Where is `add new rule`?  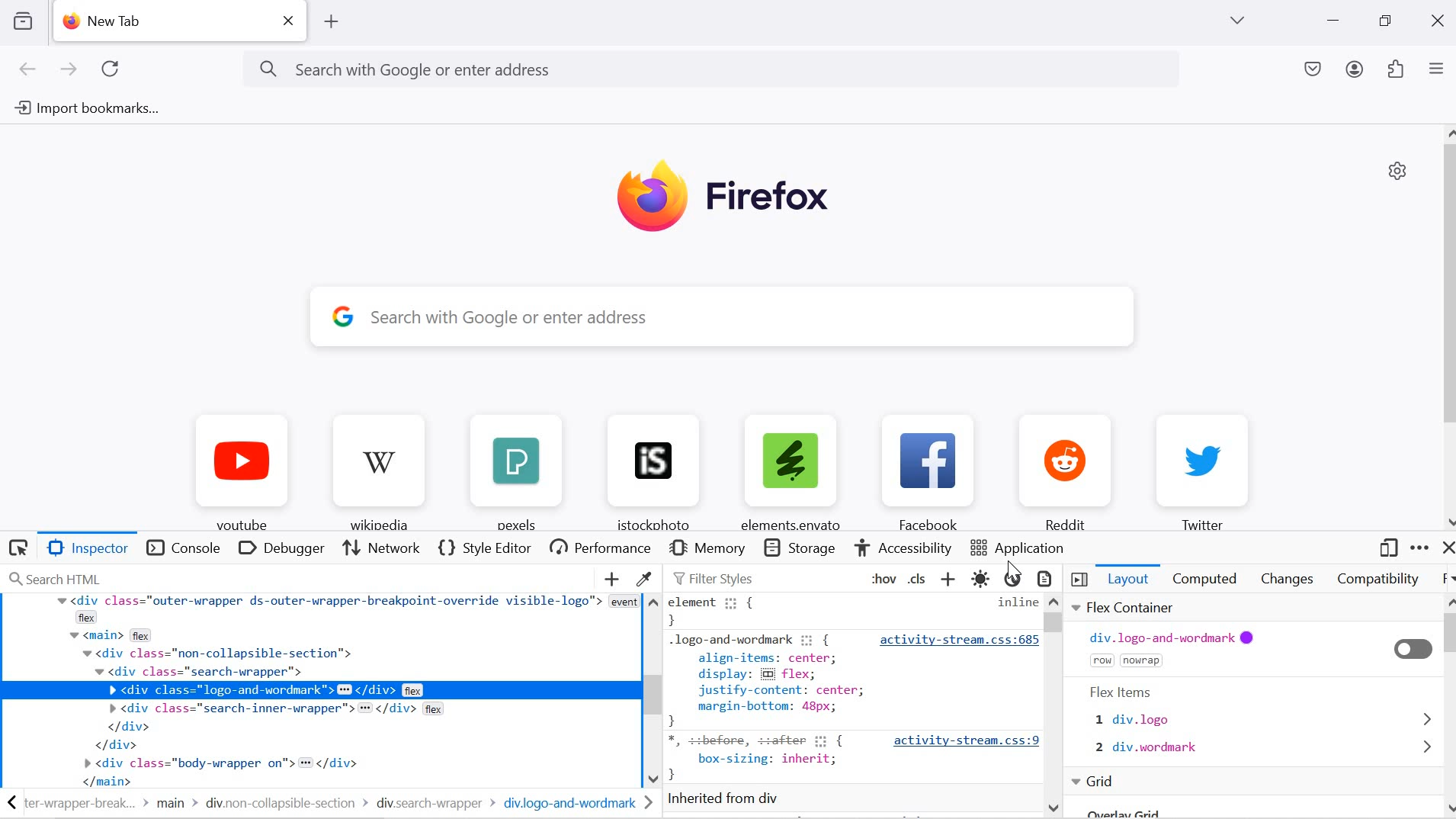 add new rule is located at coordinates (948, 580).